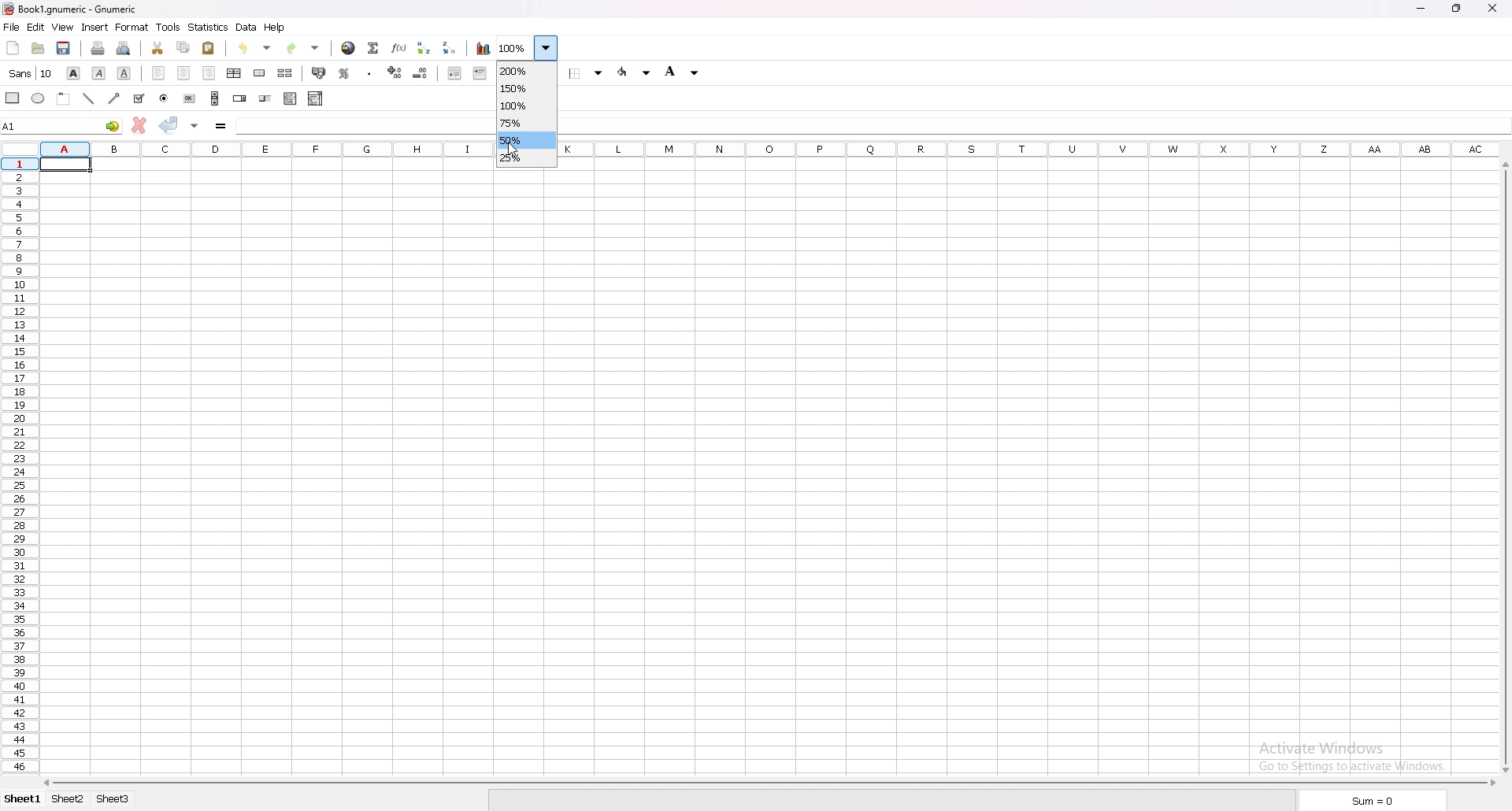 This screenshot has width=1512, height=811. What do you see at coordinates (424, 48) in the screenshot?
I see `sort ascending` at bounding box center [424, 48].